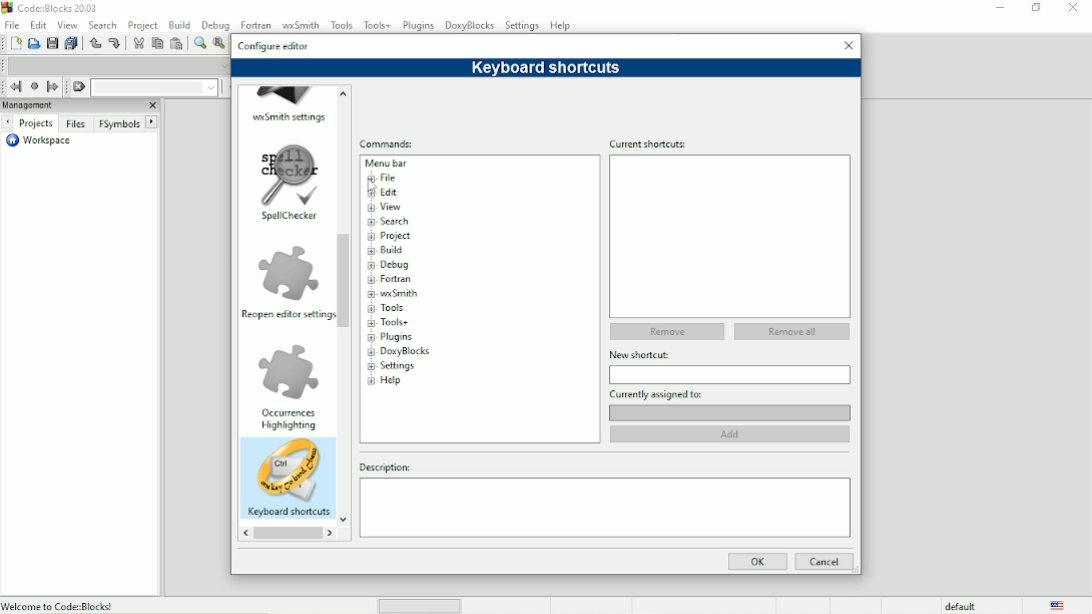 The image size is (1092, 614). Describe the element at coordinates (603, 466) in the screenshot. I see `Description` at that location.